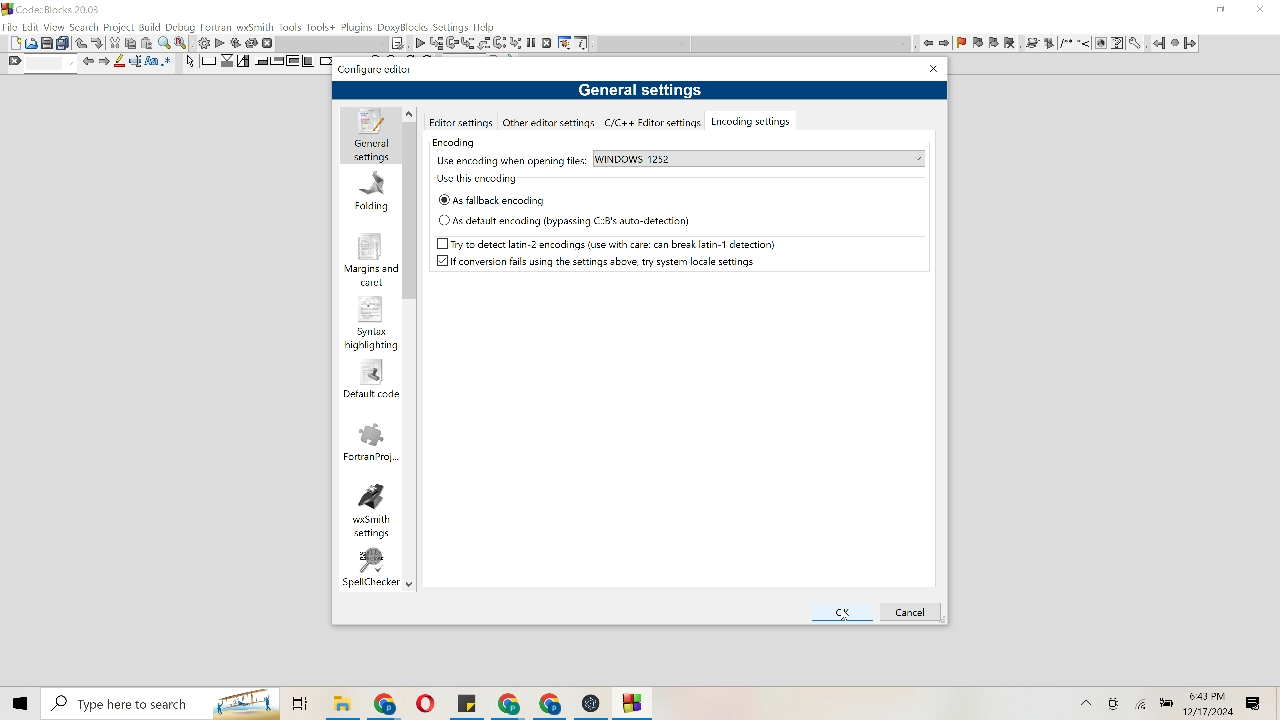  I want to click on Cancel, so click(268, 43).